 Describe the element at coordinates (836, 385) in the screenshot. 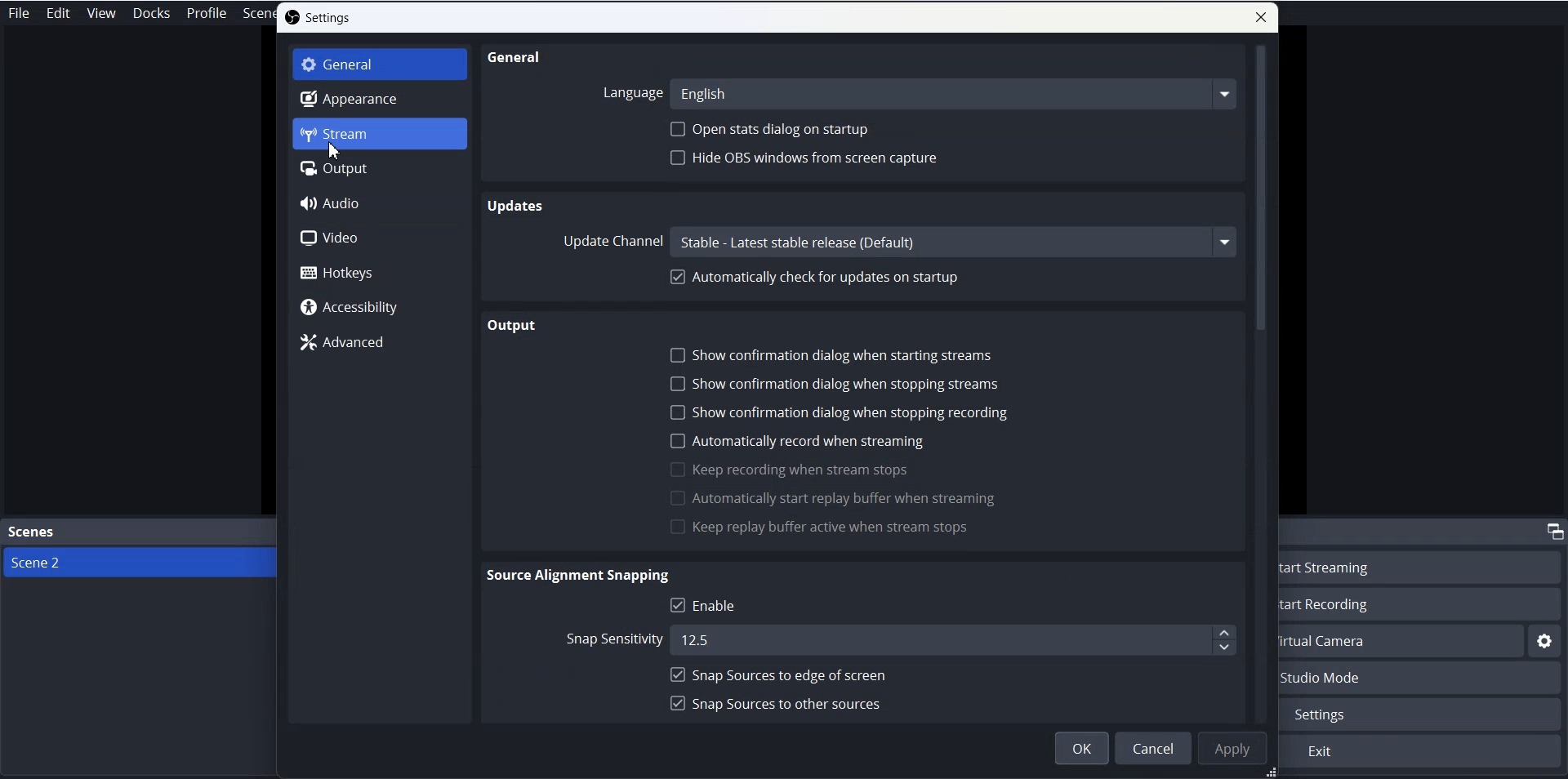

I see `Show confirmation dialogue when stopping streams` at that location.